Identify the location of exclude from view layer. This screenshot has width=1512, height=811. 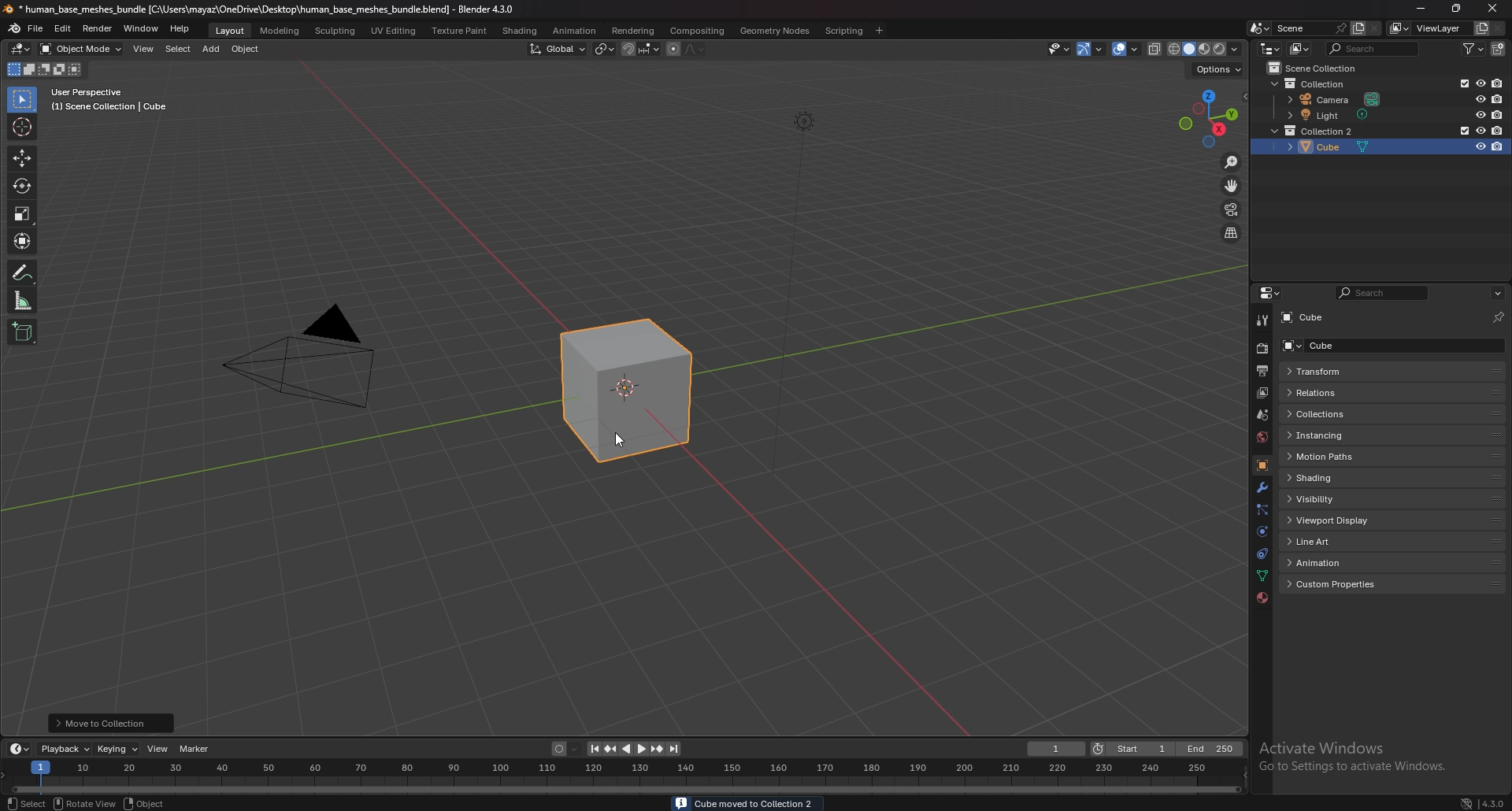
(1462, 146).